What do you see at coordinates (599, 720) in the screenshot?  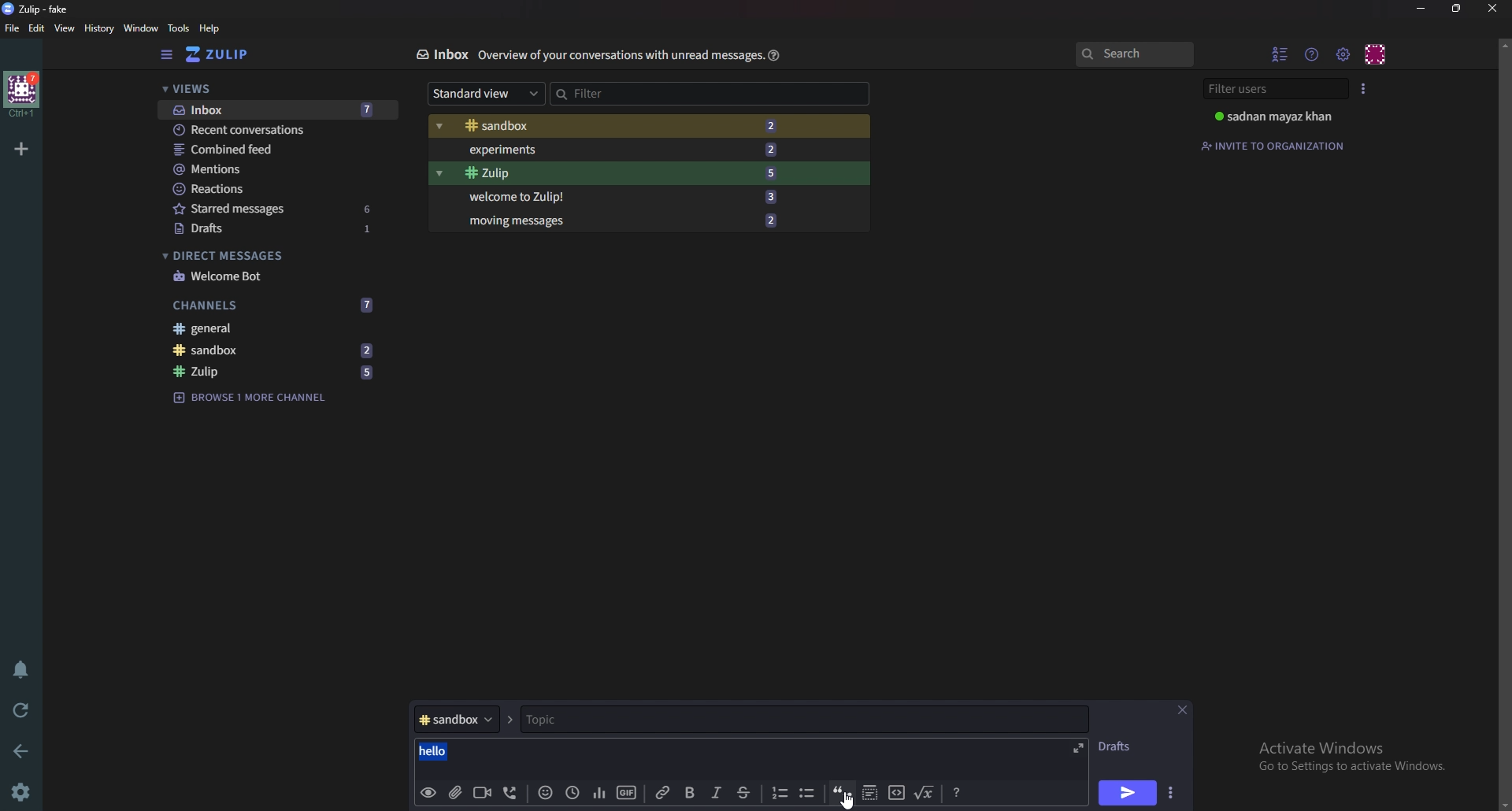 I see `Topic` at bounding box center [599, 720].